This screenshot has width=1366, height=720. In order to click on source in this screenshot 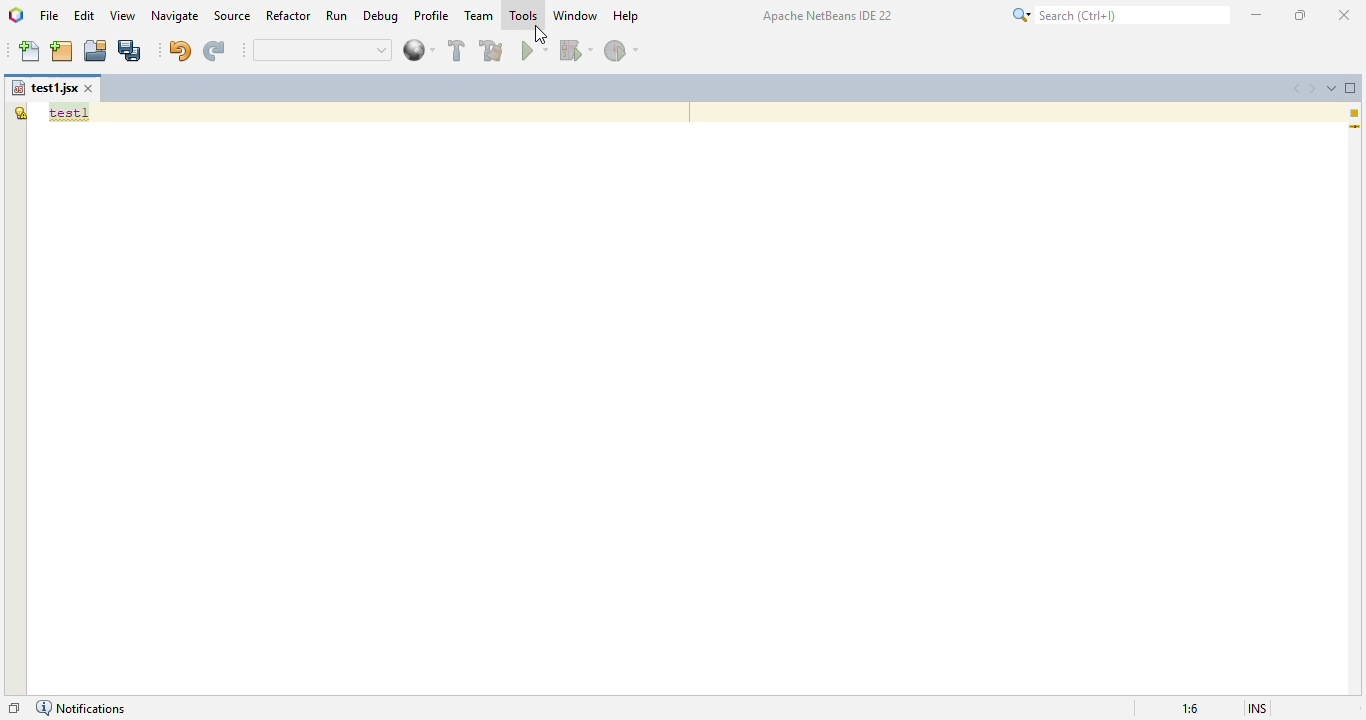, I will do `click(233, 16)`.